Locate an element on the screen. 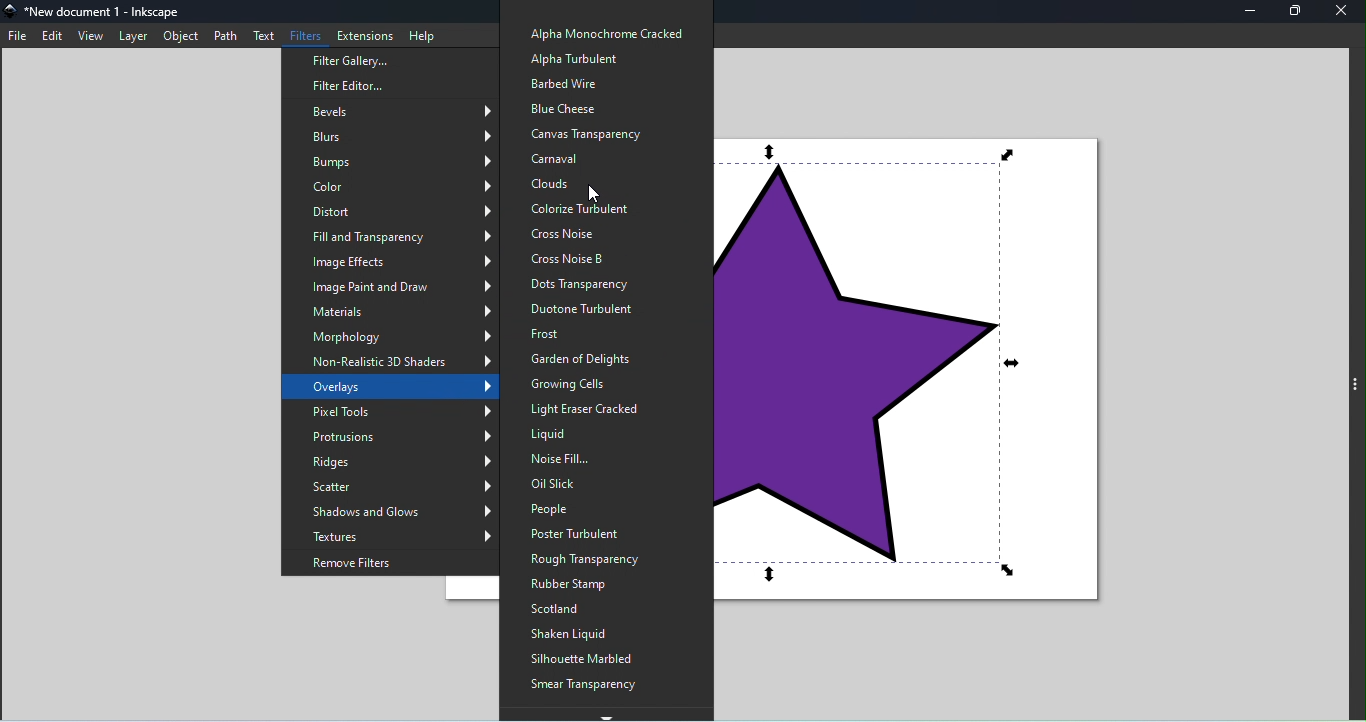 This screenshot has height=722, width=1366. Overlays is located at coordinates (396, 387).